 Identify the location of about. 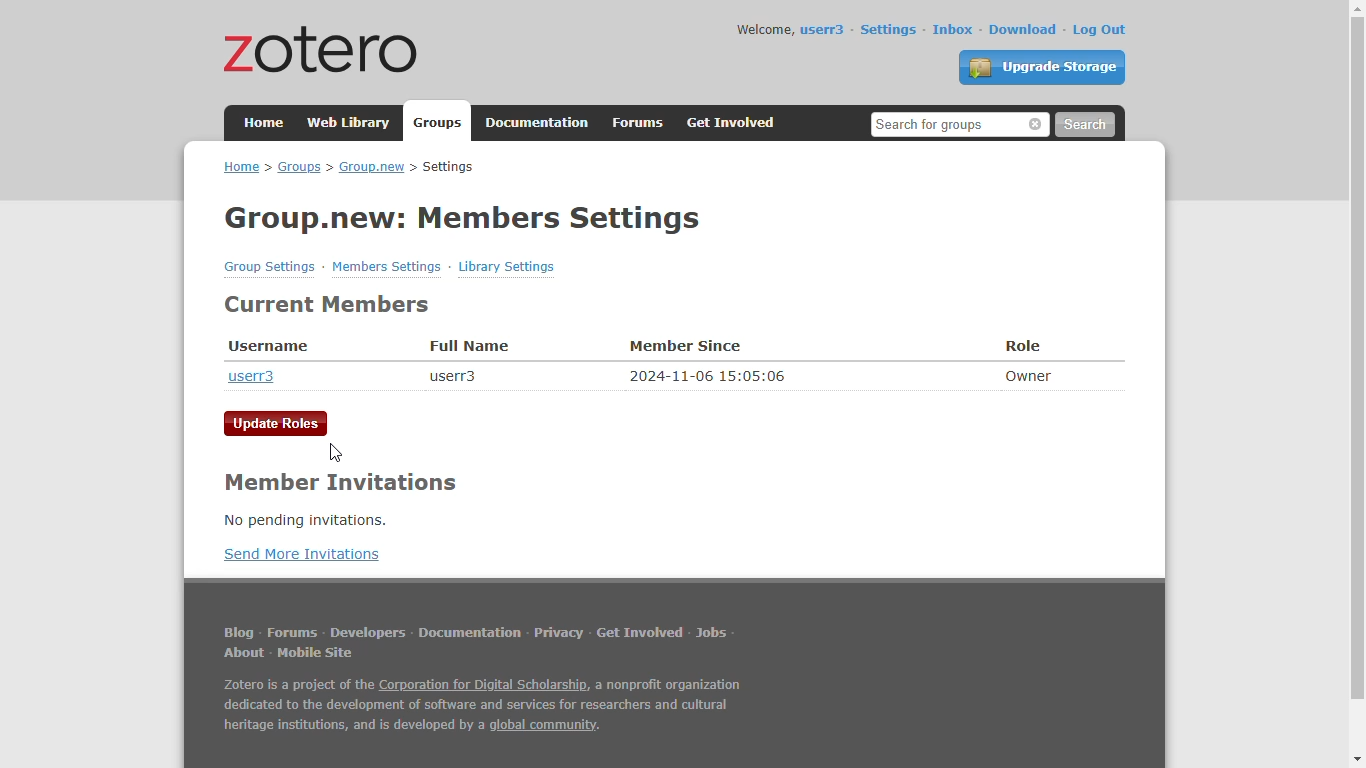
(246, 653).